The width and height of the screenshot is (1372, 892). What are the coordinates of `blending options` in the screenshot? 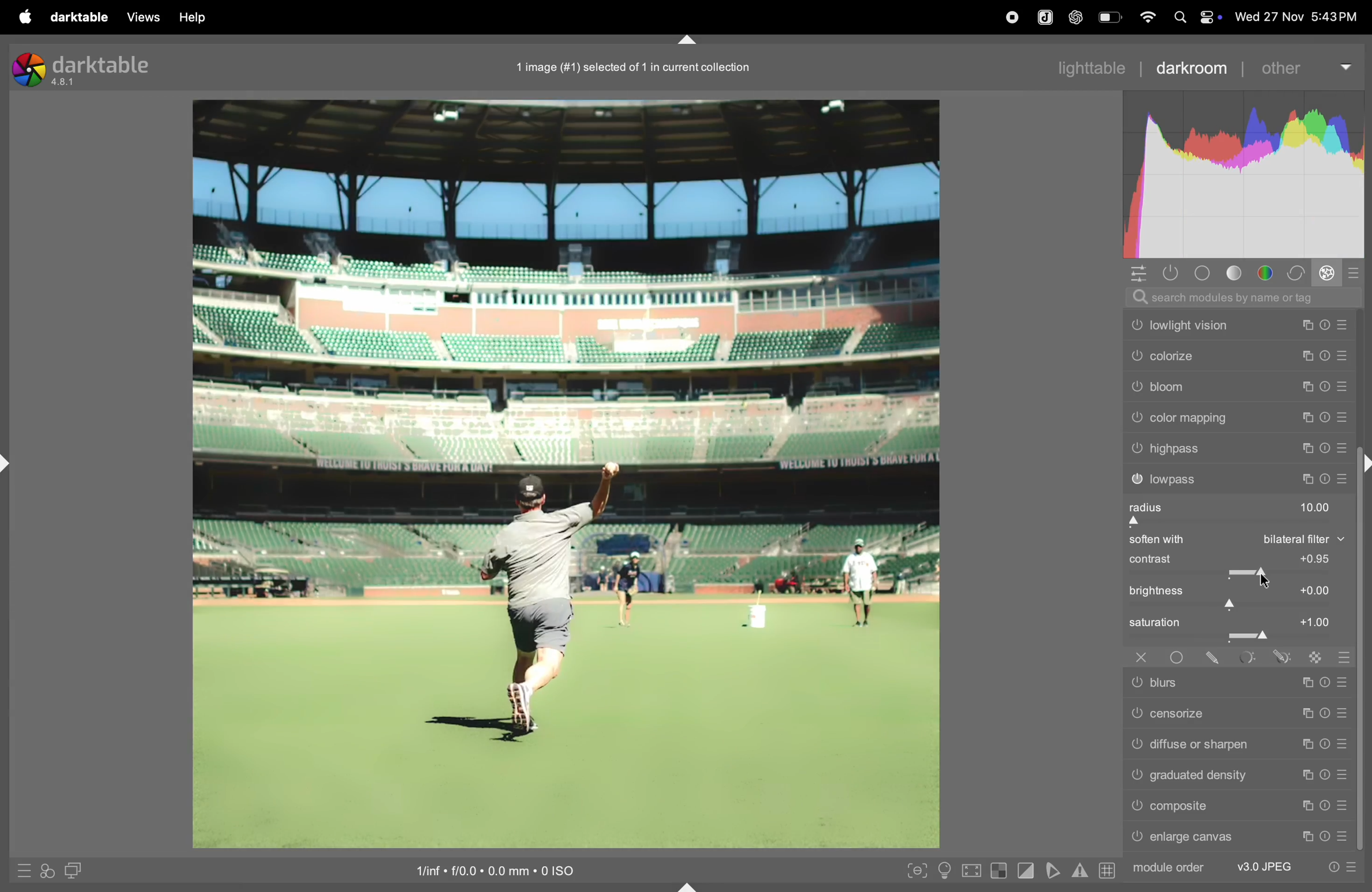 It's located at (1345, 658).